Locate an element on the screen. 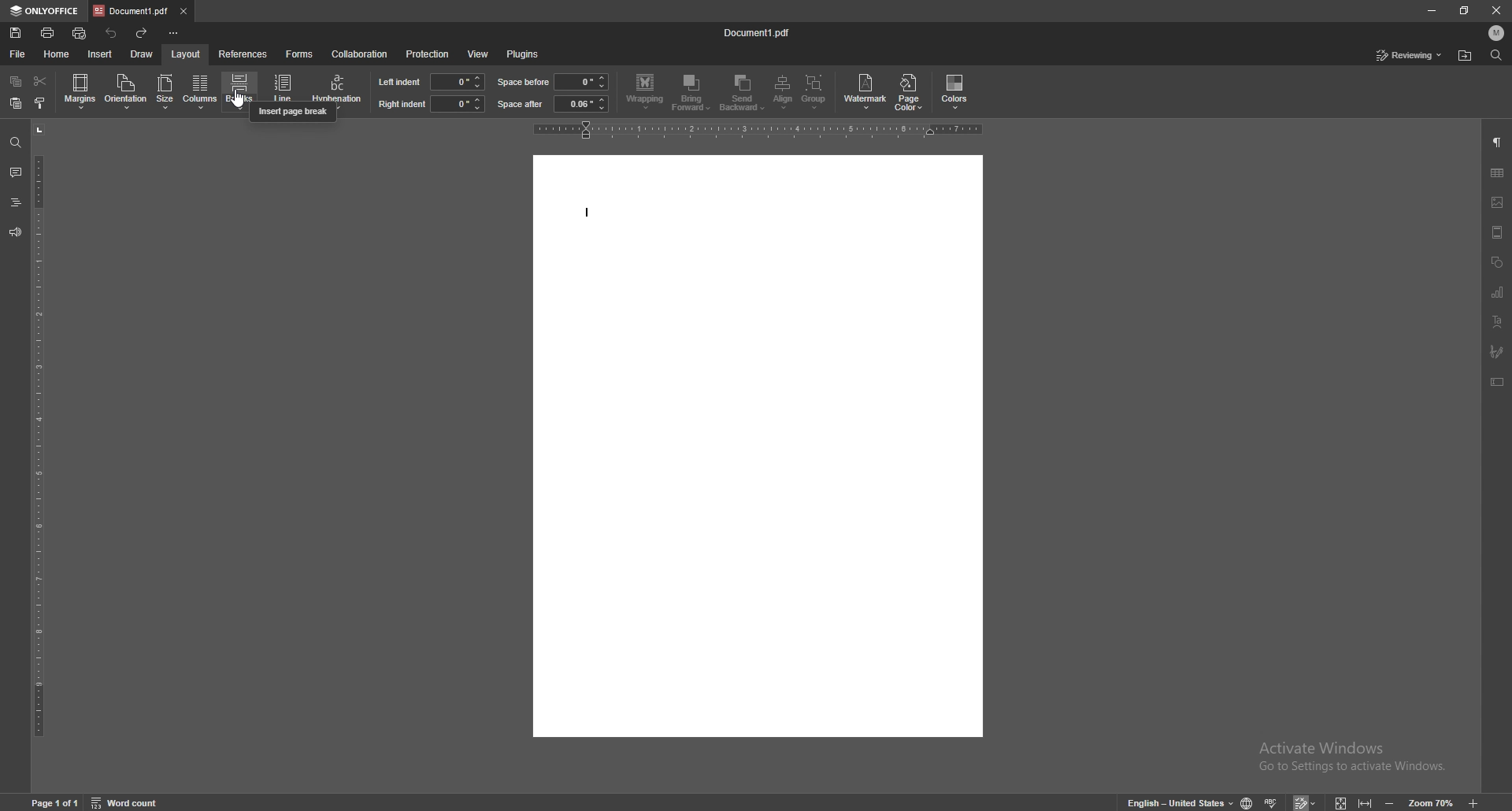 The width and height of the screenshot is (1512, 811). headings is located at coordinates (17, 202).